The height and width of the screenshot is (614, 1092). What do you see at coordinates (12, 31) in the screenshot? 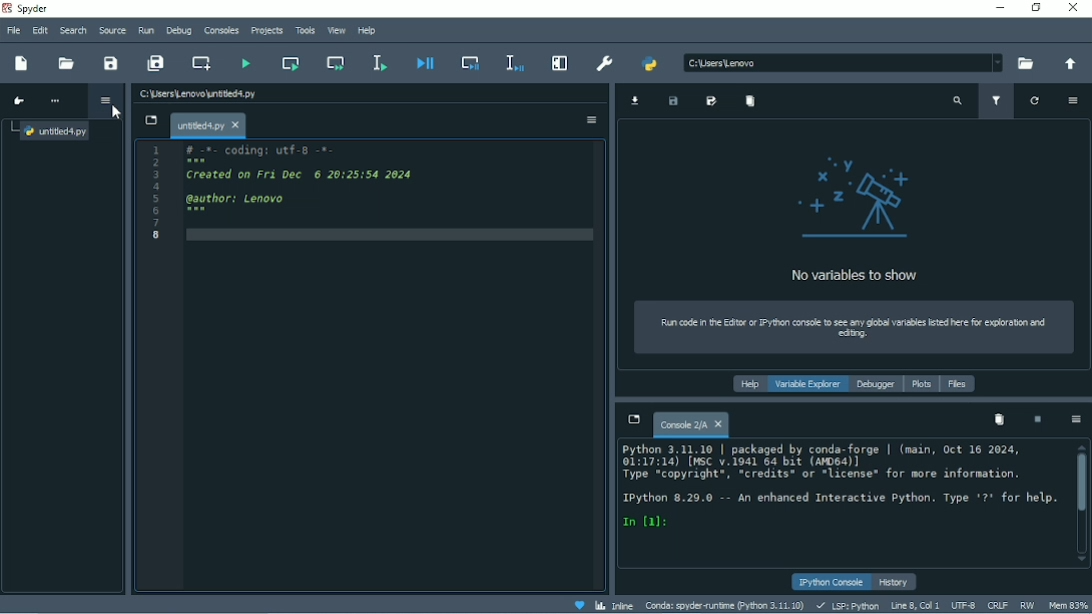
I see `File` at bounding box center [12, 31].